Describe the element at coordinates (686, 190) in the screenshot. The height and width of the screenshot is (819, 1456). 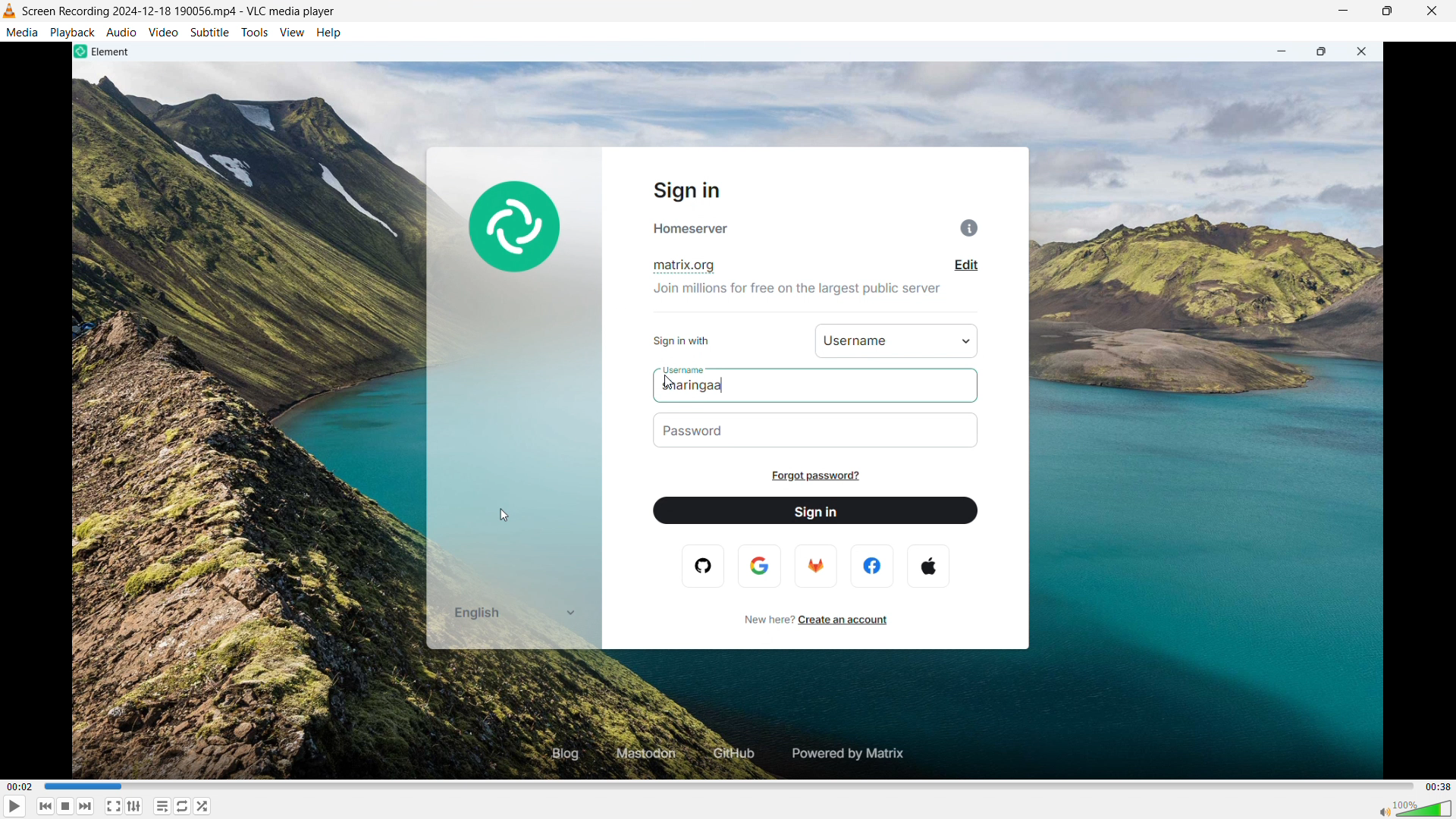
I see `sign in` at that location.